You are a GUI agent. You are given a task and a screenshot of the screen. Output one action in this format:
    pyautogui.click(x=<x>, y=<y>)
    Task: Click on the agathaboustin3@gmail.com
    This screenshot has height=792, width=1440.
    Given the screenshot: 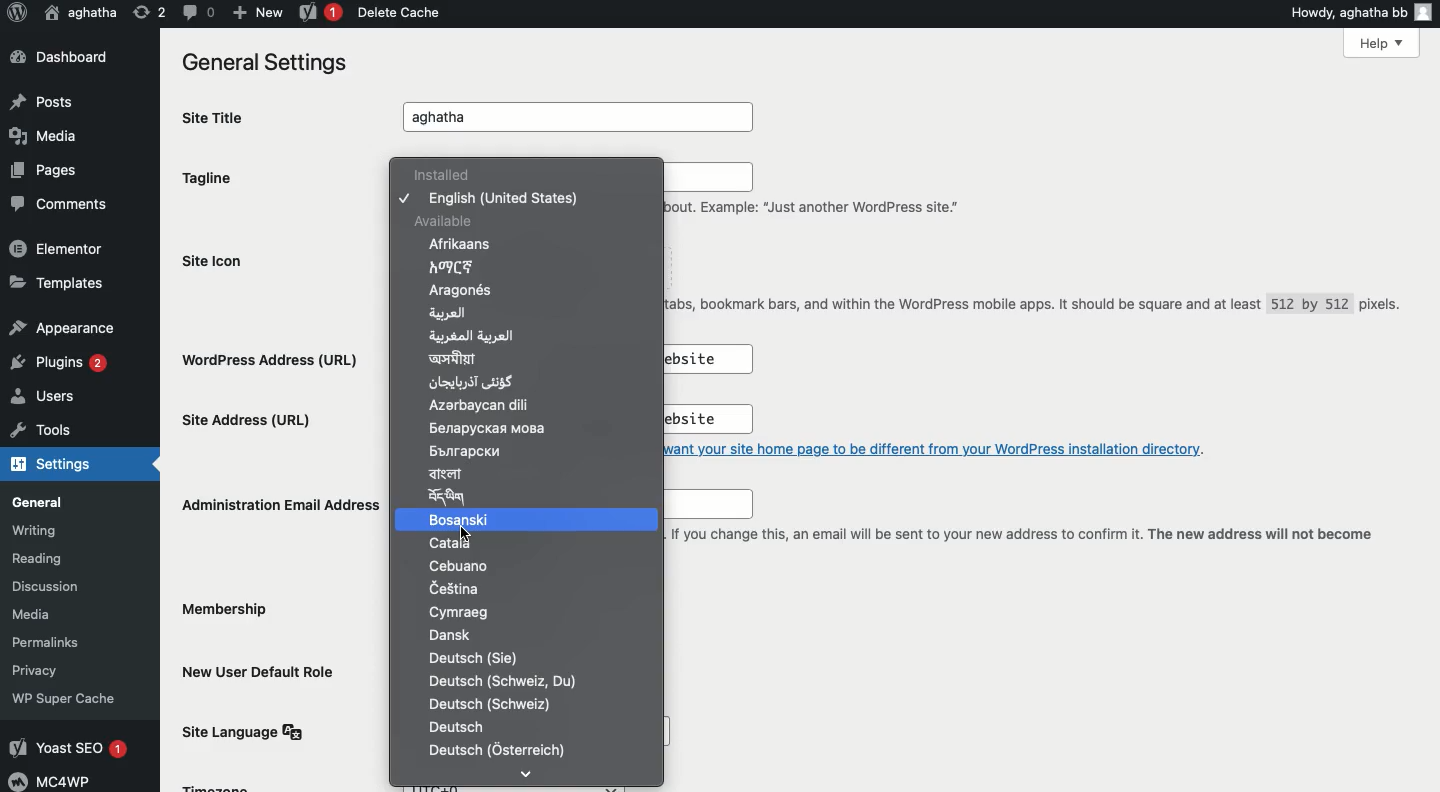 What is the action you would take?
    pyautogui.click(x=702, y=505)
    